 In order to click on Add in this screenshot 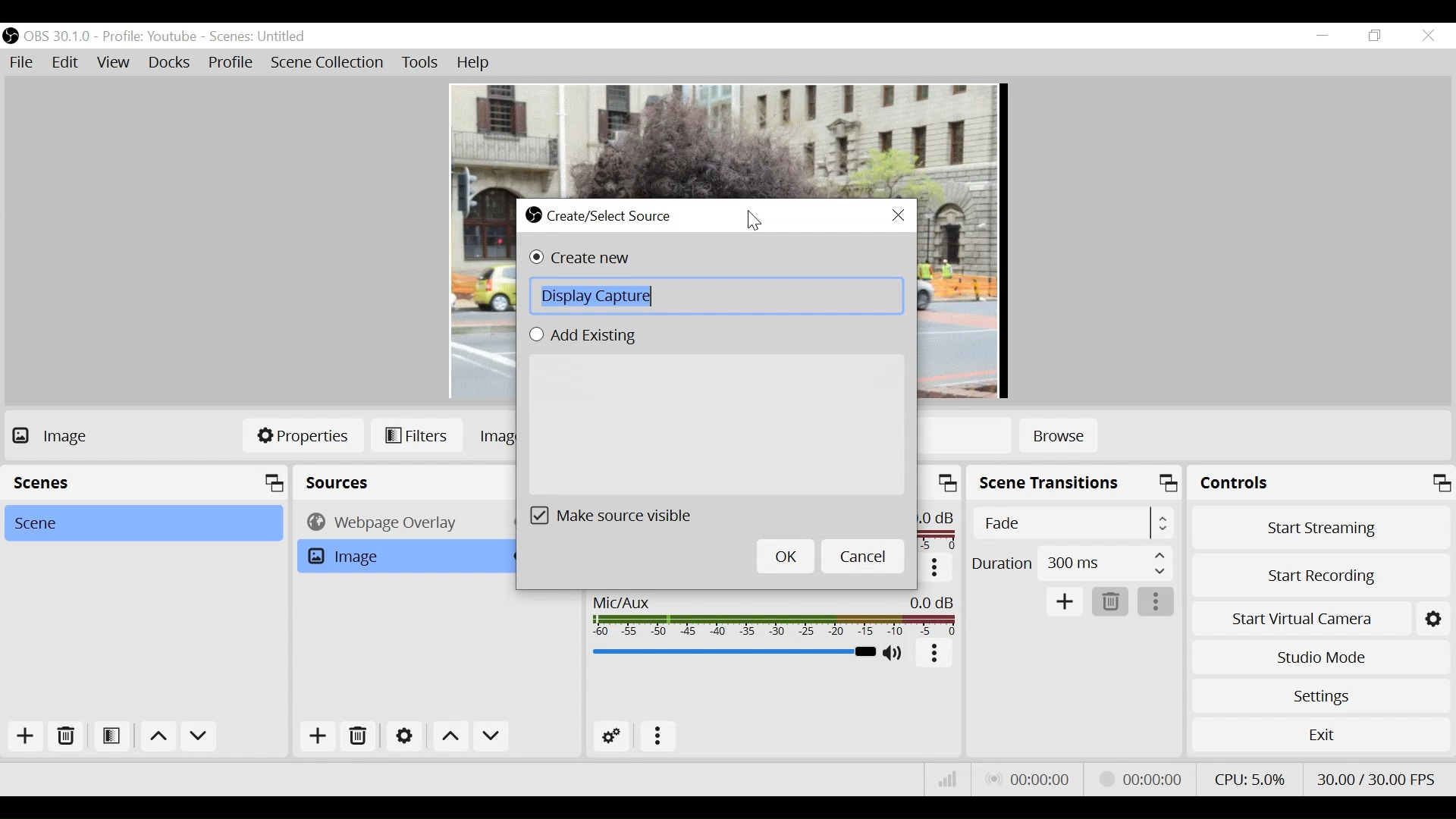, I will do `click(27, 738)`.